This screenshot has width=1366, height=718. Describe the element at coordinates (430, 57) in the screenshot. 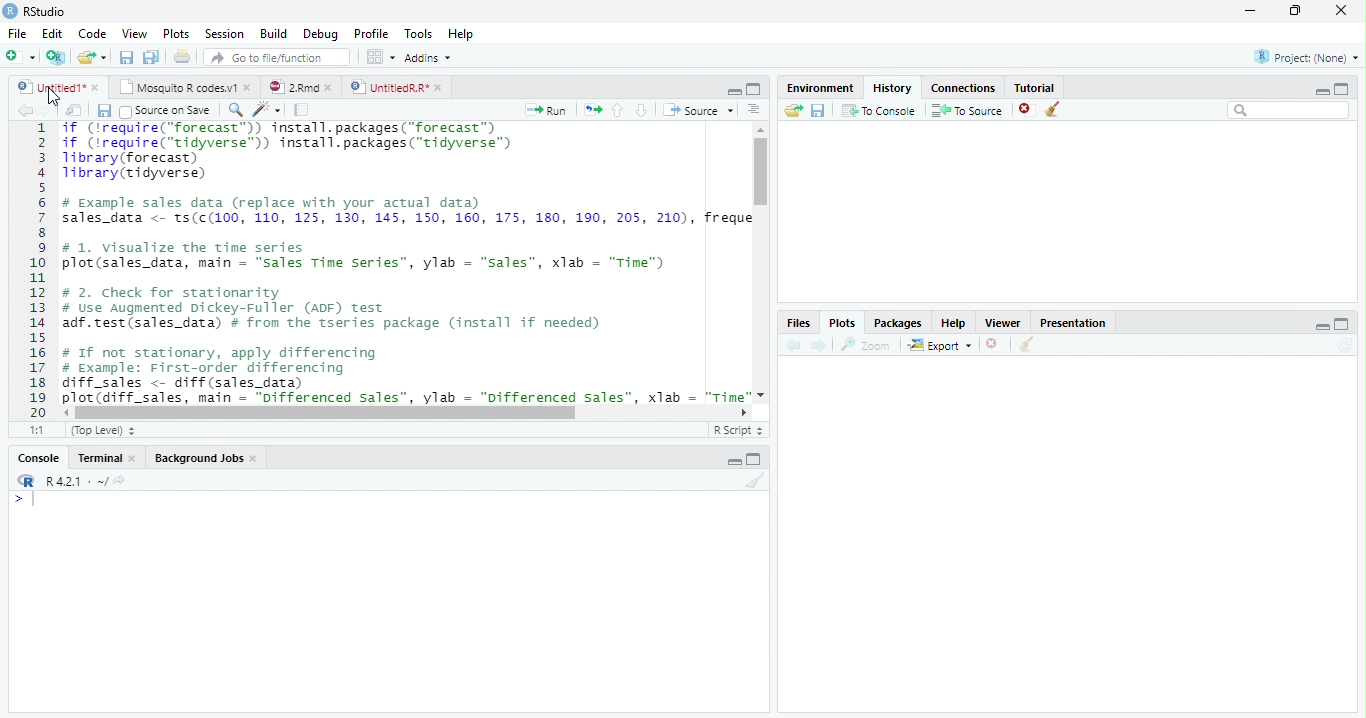

I see `Addins` at that location.